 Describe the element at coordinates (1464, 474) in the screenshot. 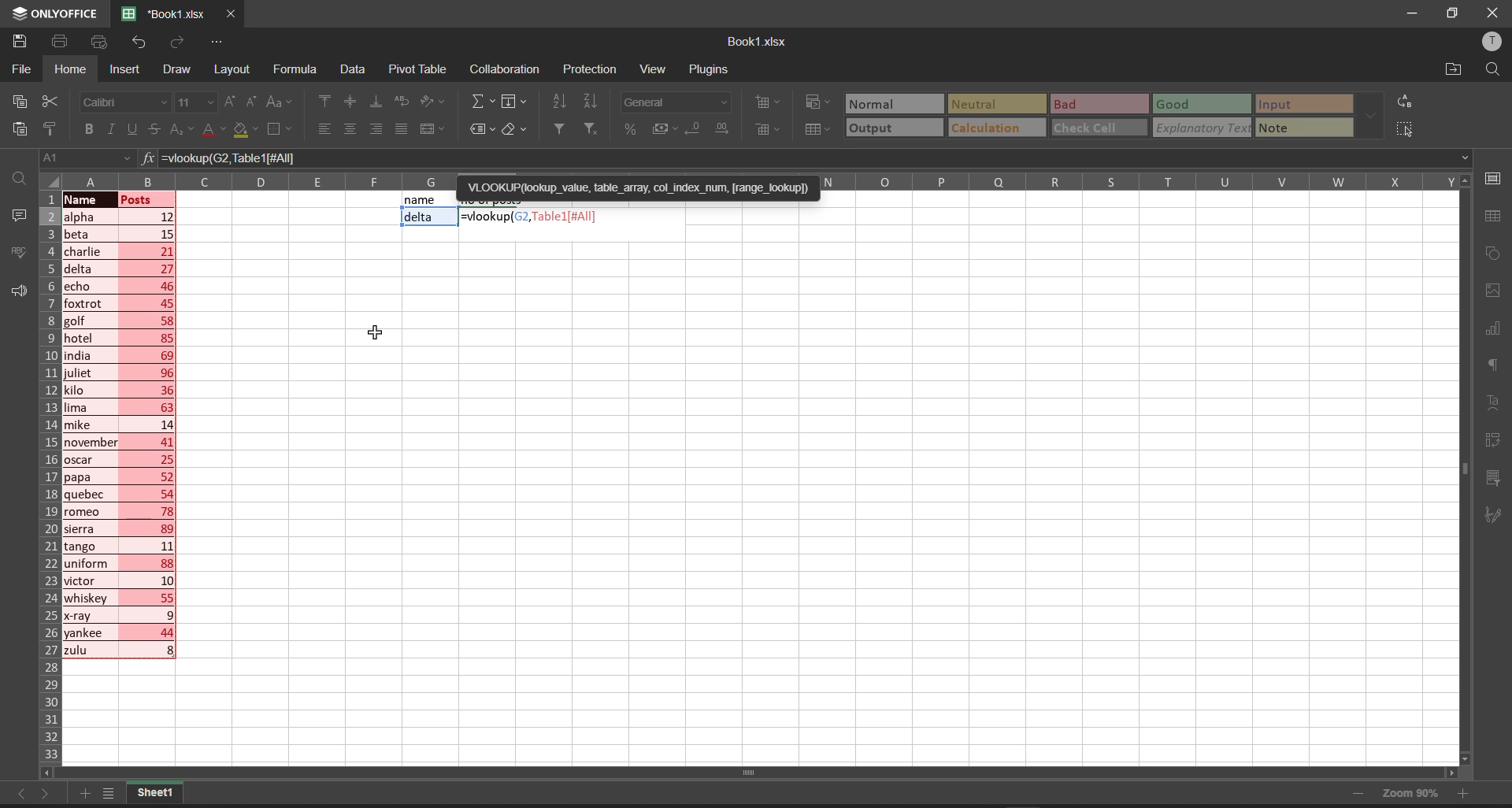

I see `vertical scroll bar` at that location.